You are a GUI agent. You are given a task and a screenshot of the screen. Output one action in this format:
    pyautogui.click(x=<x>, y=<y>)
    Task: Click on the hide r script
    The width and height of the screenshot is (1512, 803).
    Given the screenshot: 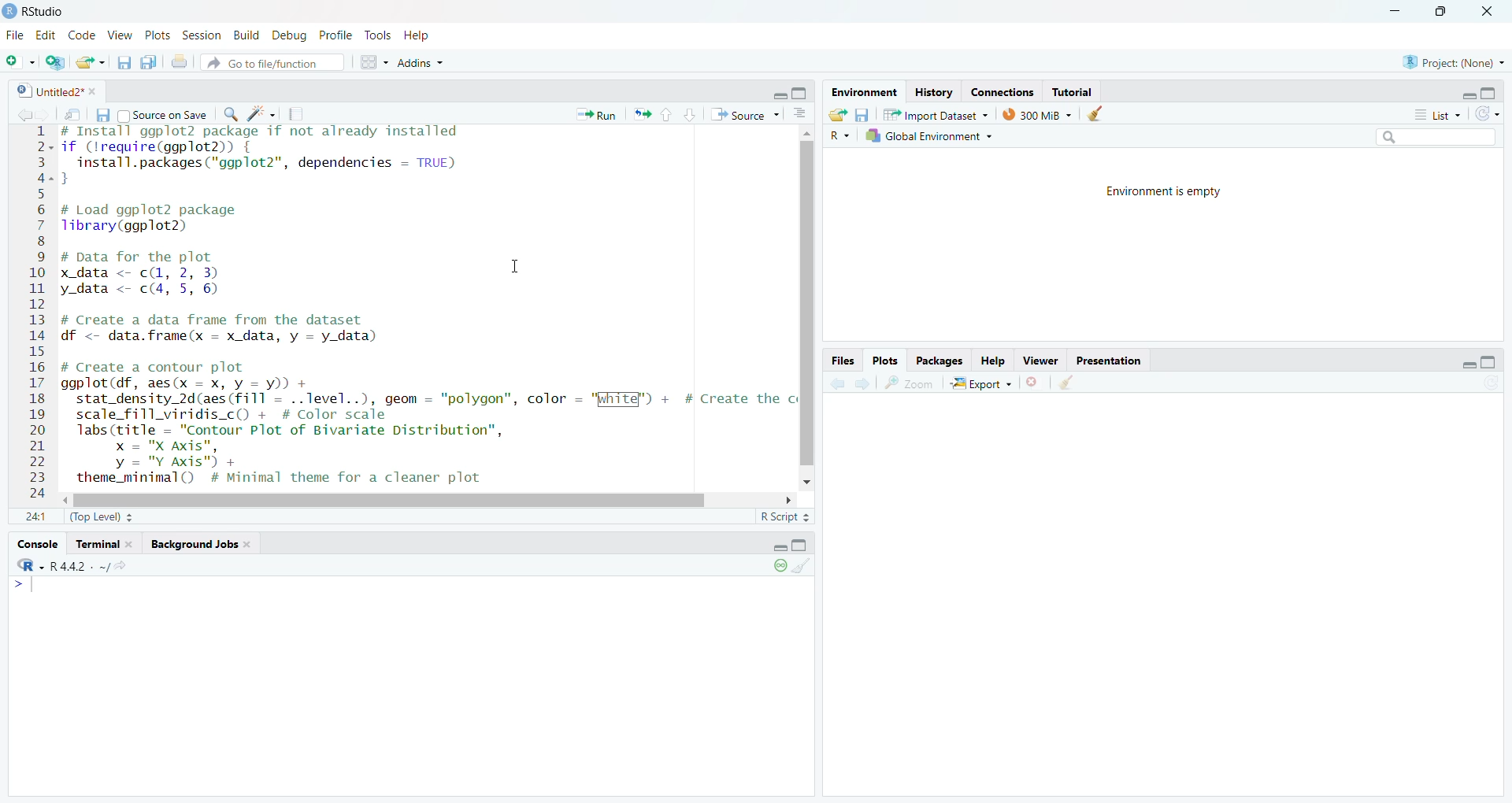 What is the action you would take?
    pyautogui.click(x=778, y=94)
    